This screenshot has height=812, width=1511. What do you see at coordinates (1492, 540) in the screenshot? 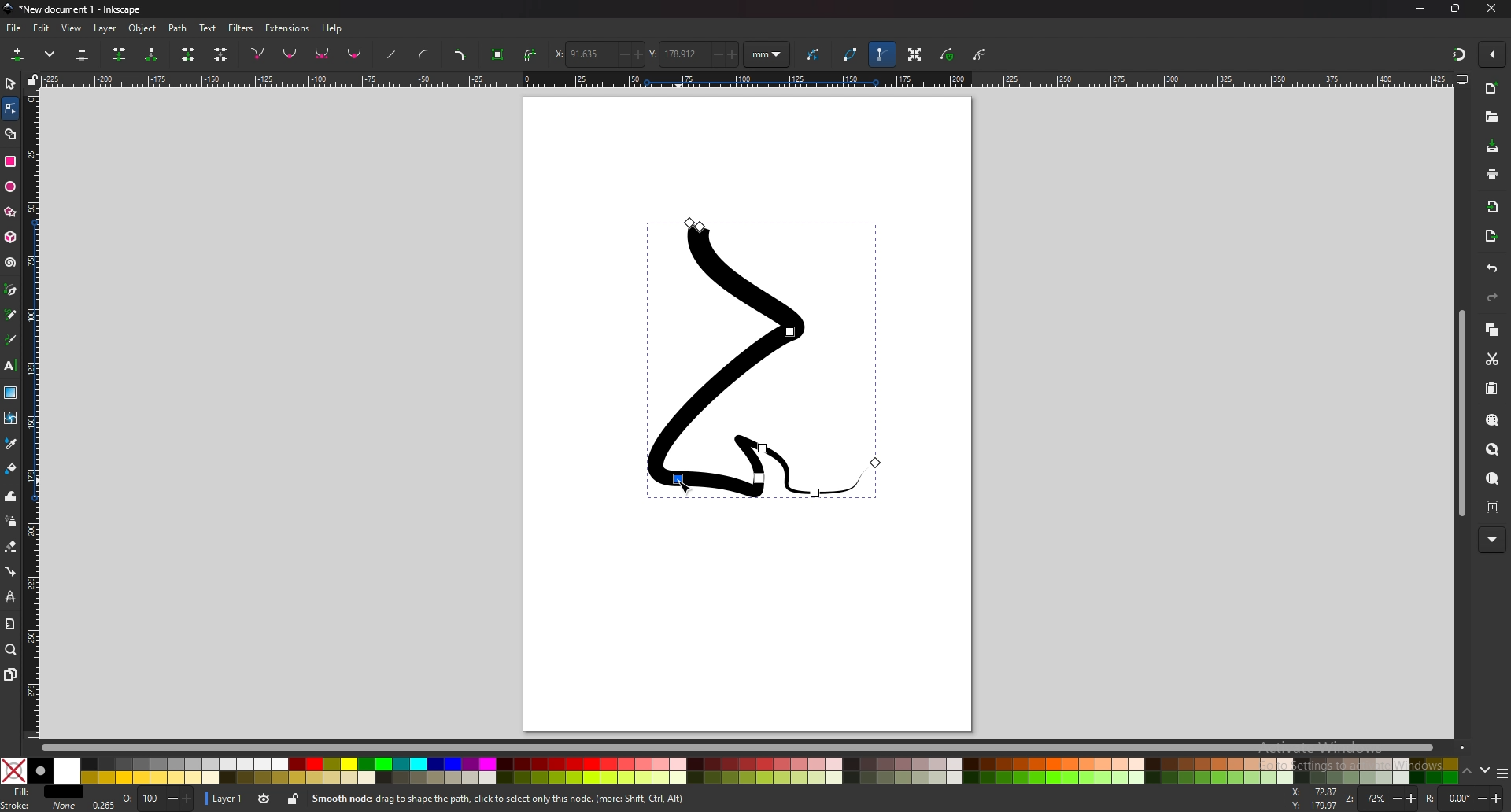
I see `more` at bounding box center [1492, 540].